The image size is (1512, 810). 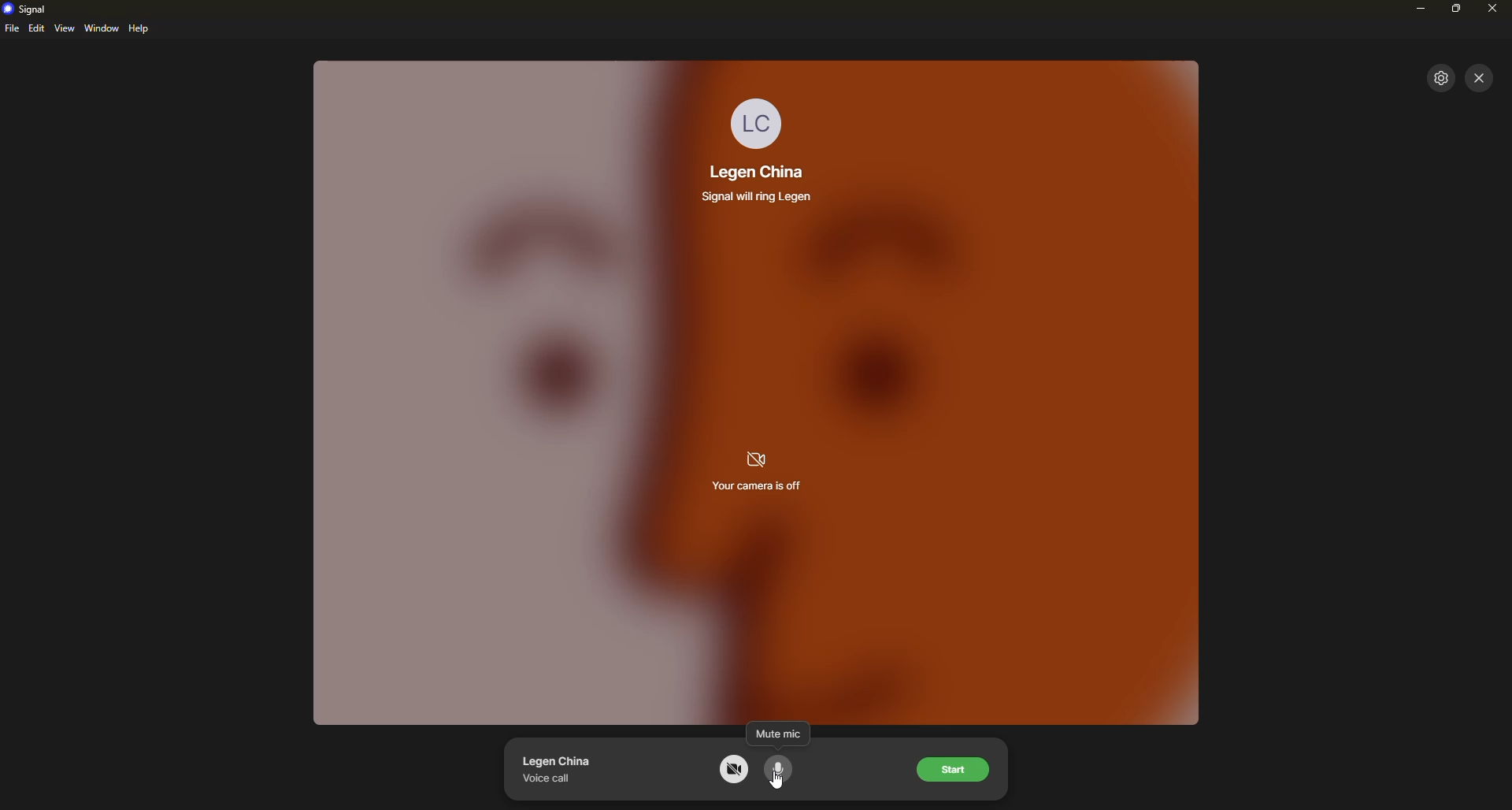 What do you see at coordinates (777, 731) in the screenshot?
I see `mute mic` at bounding box center [777, 731].